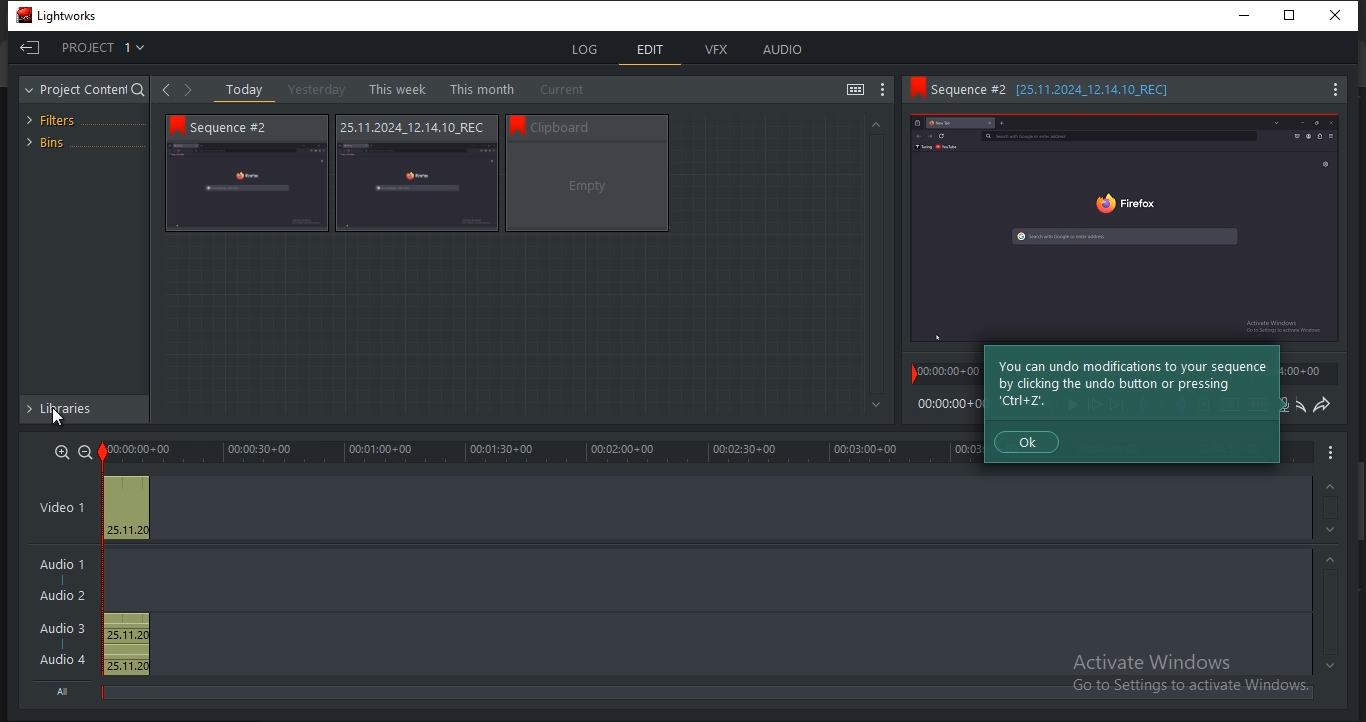 The height and width of the screenshot is (722, 1366). What do you see at coordinates (60, 118) in the screenshot?
I see `filters` at bounding box center [60, 118].